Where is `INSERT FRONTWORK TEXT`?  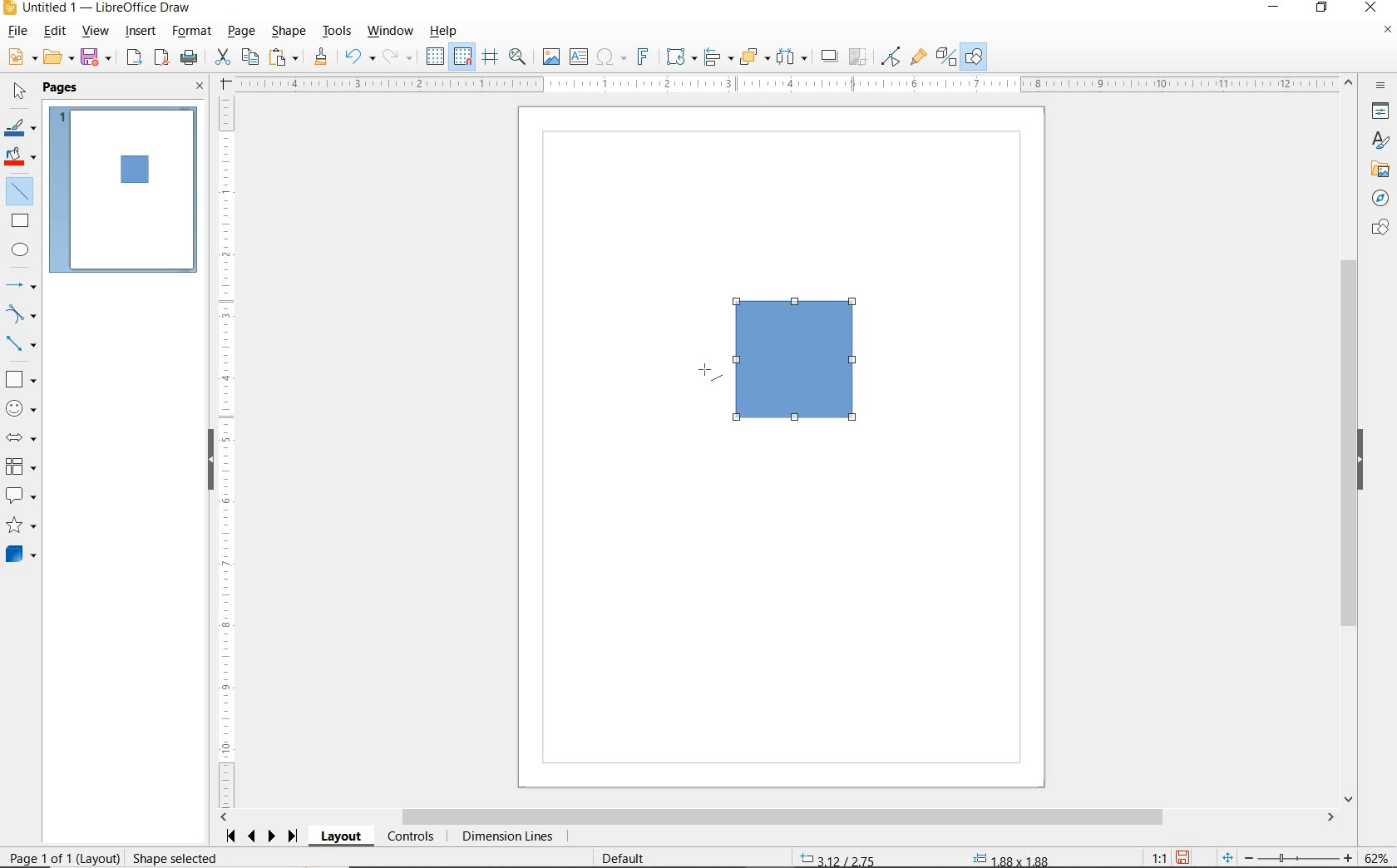 INSERT FRONTWORK TEXT is located at coordinates (642, 57).